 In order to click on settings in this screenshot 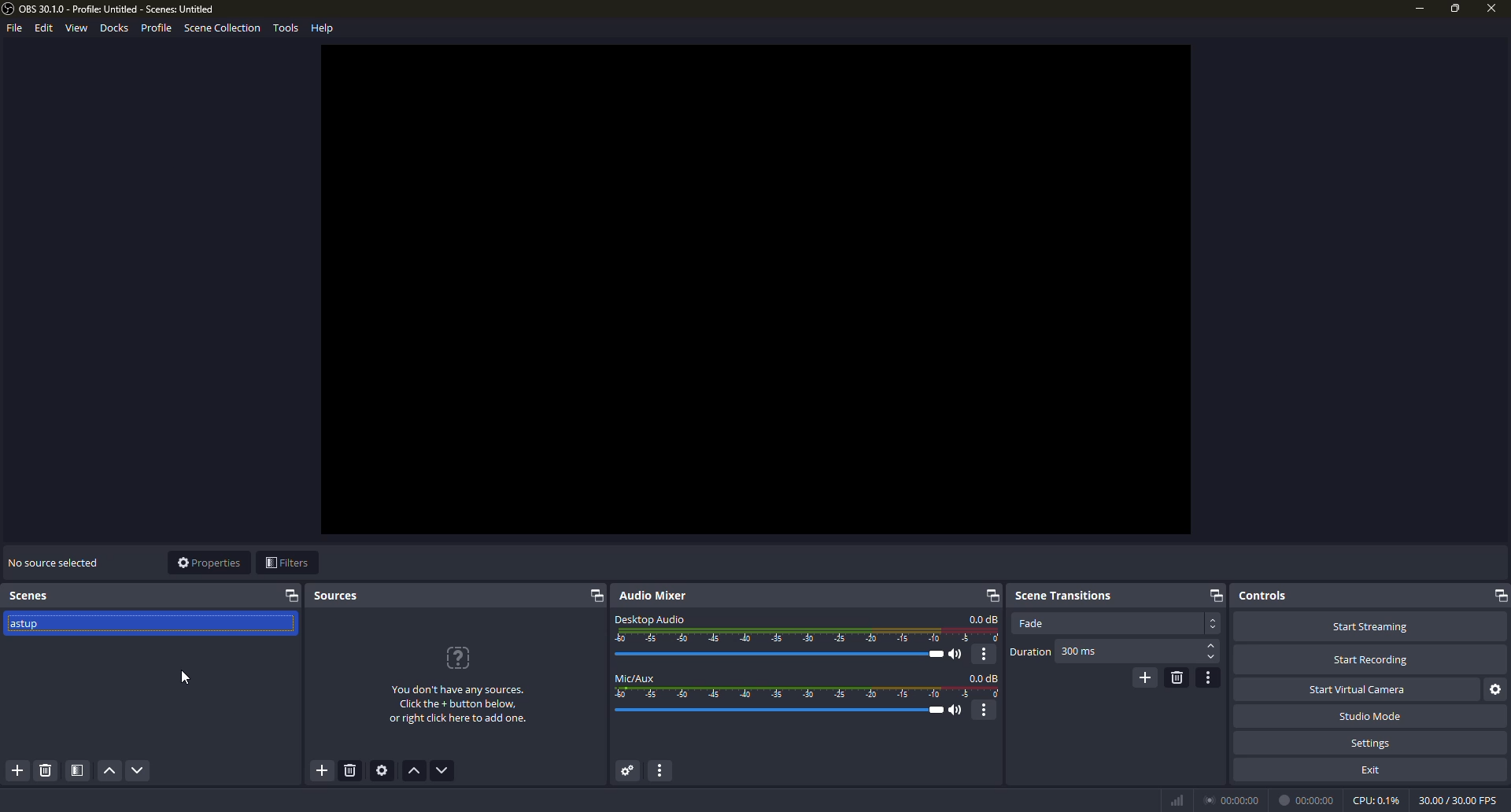, I will do `click(1372, 743)`.